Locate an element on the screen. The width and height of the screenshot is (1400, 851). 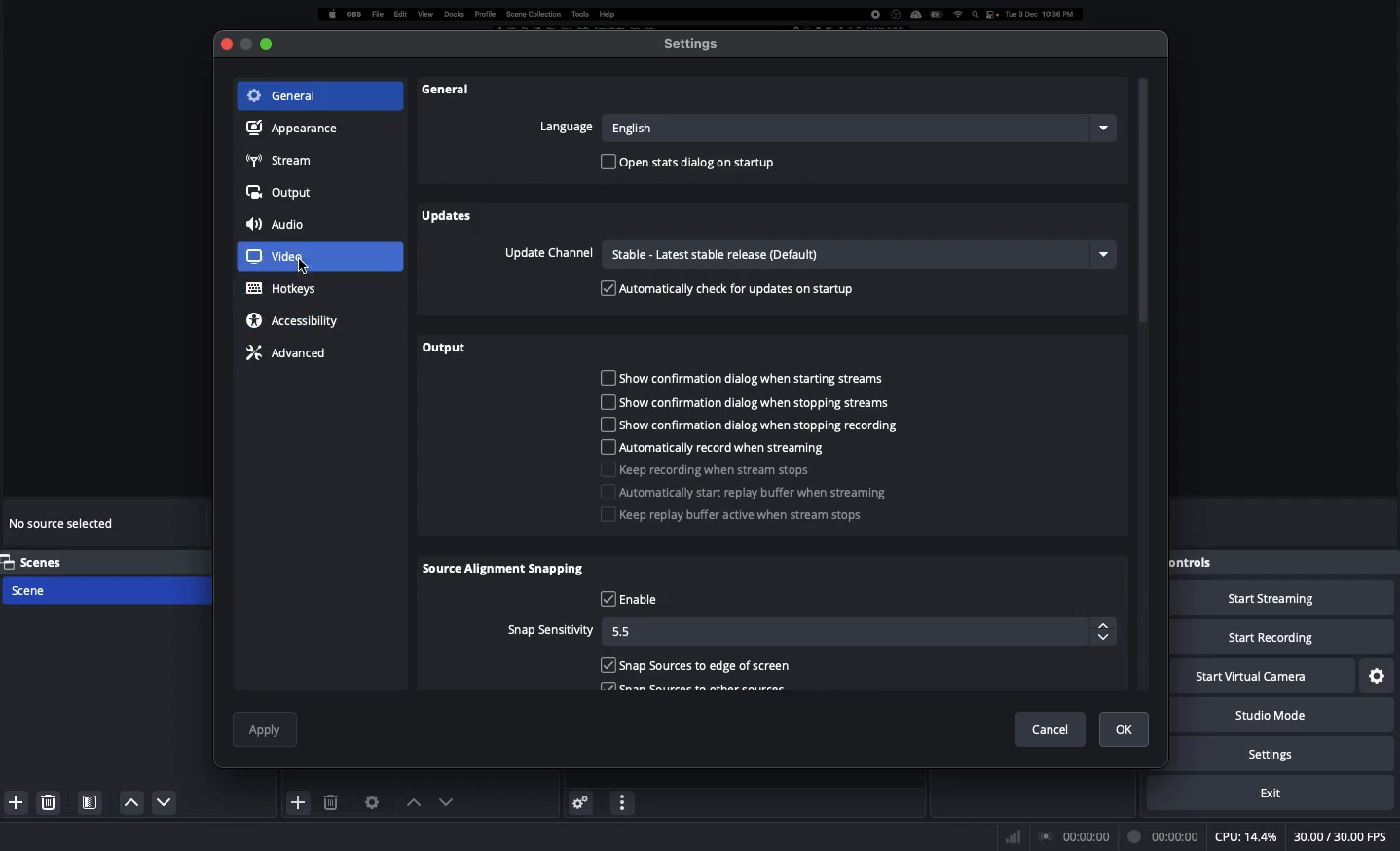
Update channel is located at coordinates (806, 255).